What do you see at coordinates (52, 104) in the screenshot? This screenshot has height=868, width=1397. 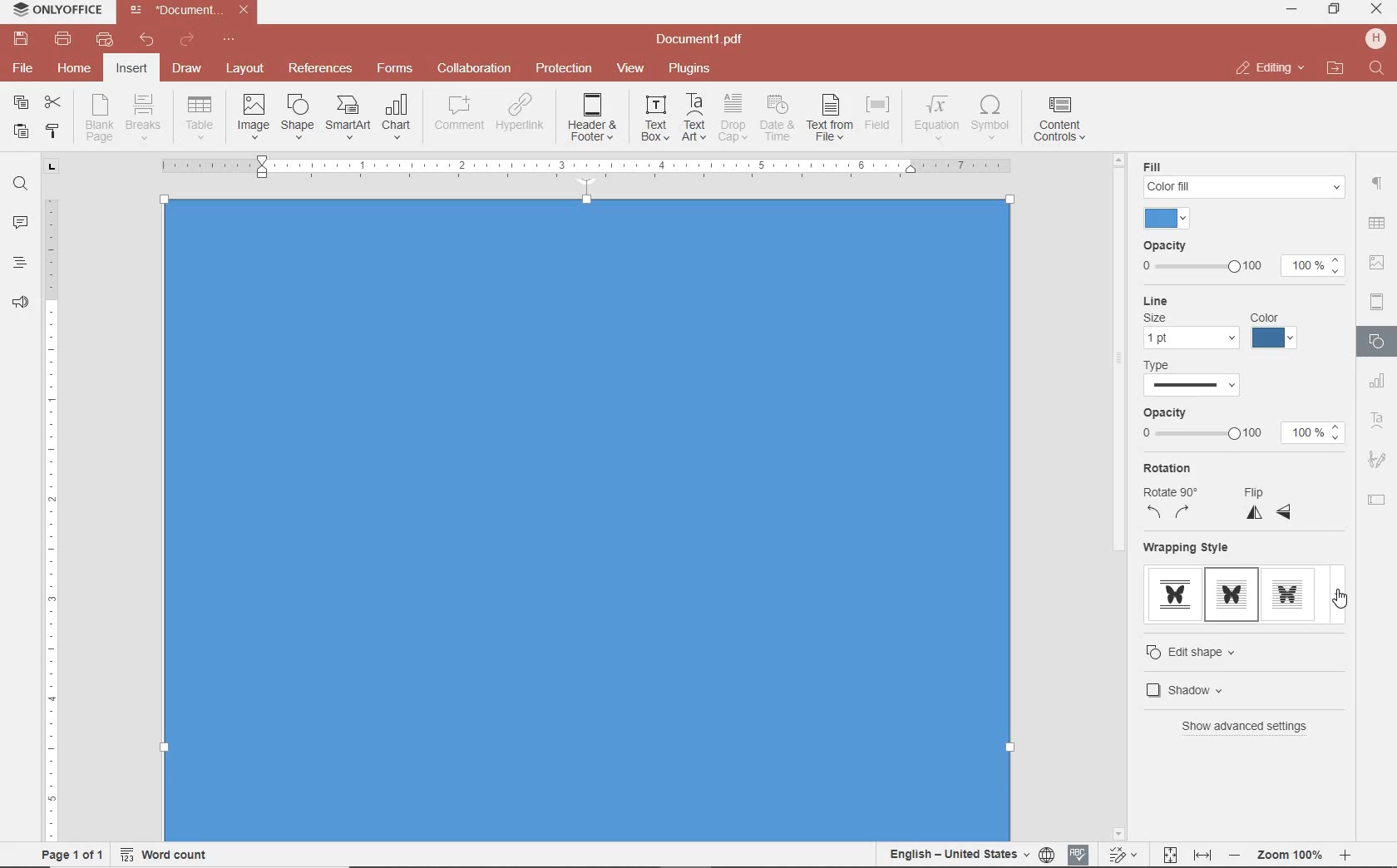 I see `cut` at bounding box center [52, 104].